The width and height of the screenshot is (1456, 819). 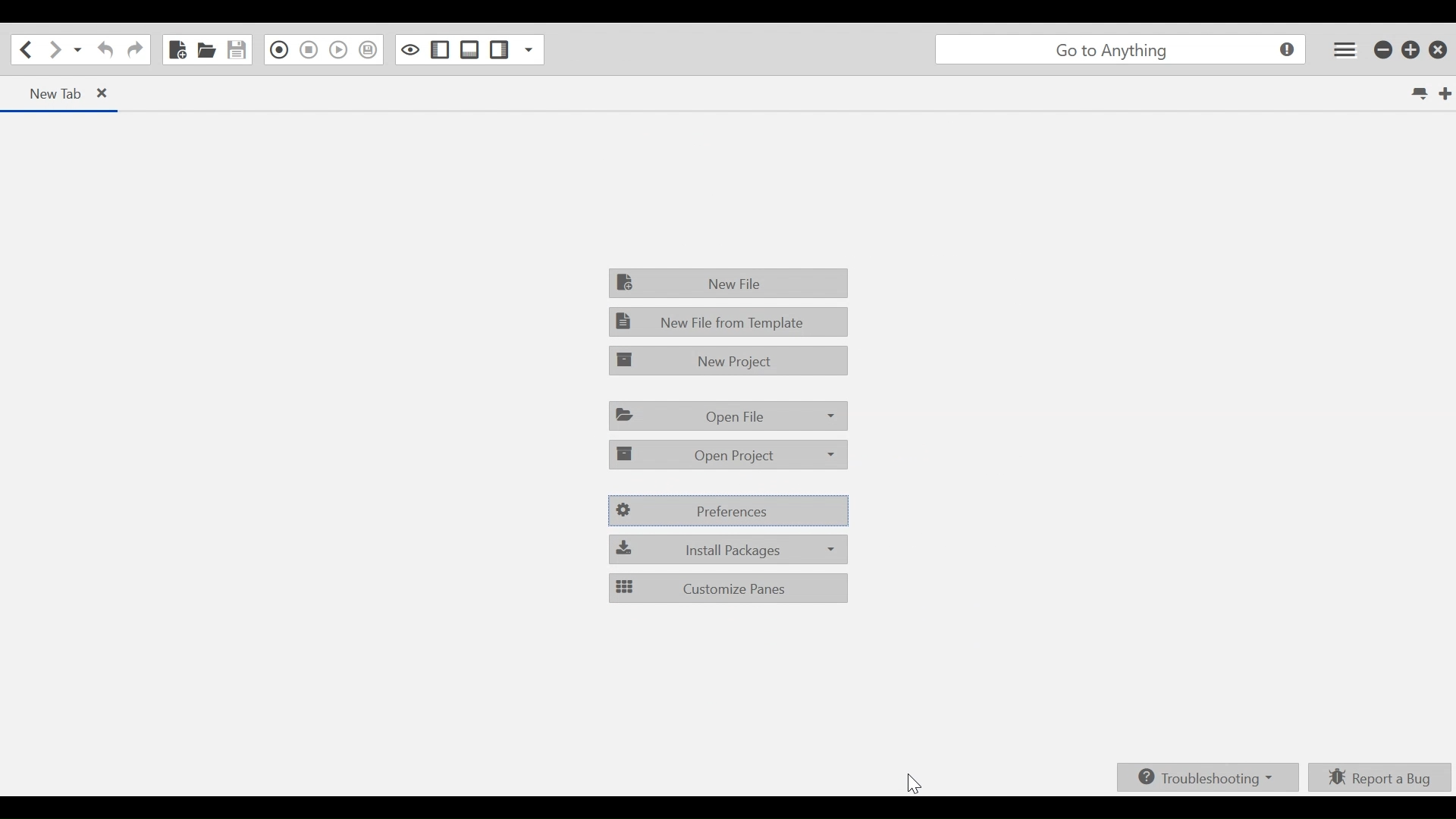 I want to click on Recording in Macro, so click(x=278, y=50).